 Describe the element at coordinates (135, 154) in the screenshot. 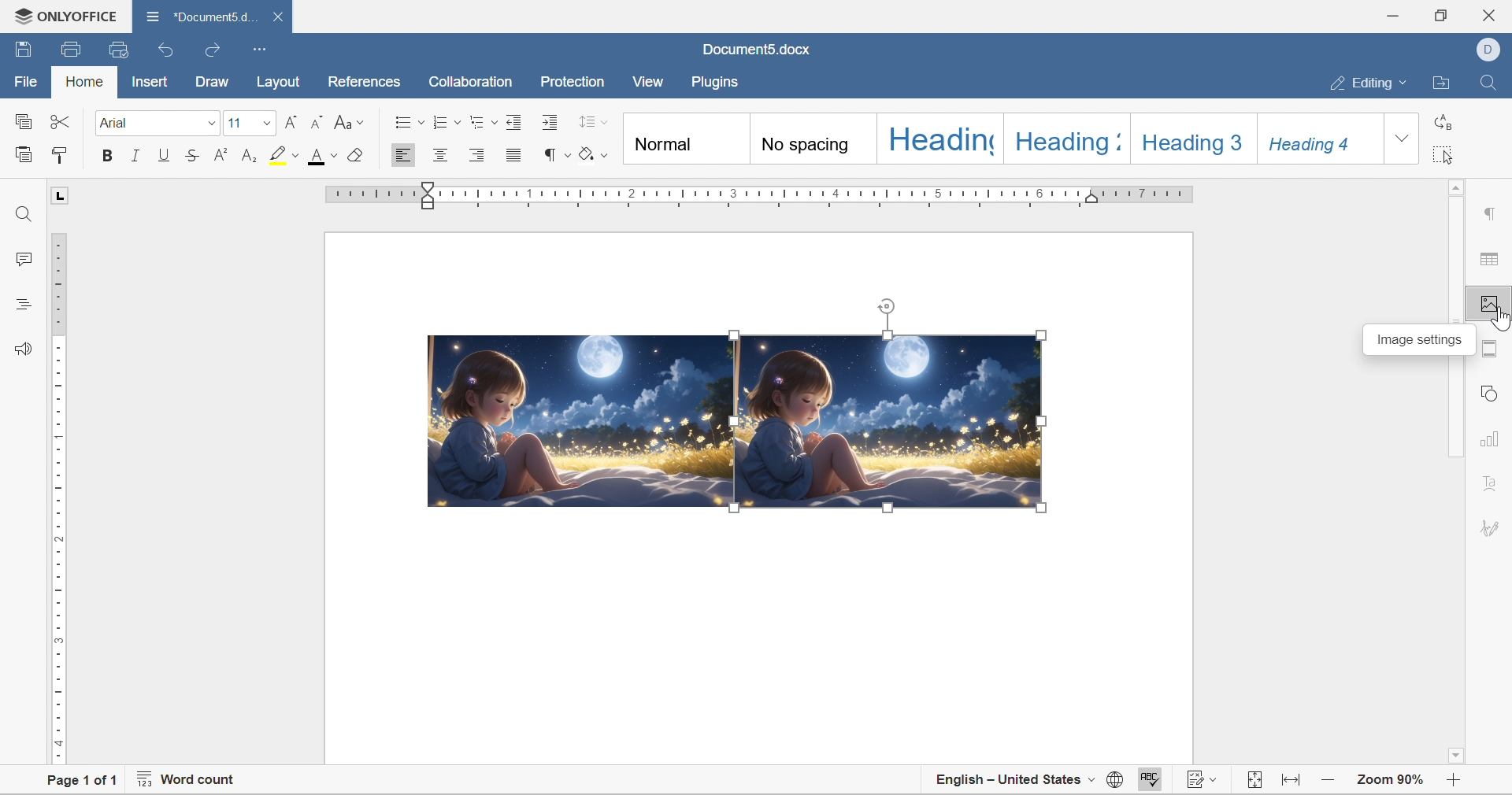

I see `italic` at that location.